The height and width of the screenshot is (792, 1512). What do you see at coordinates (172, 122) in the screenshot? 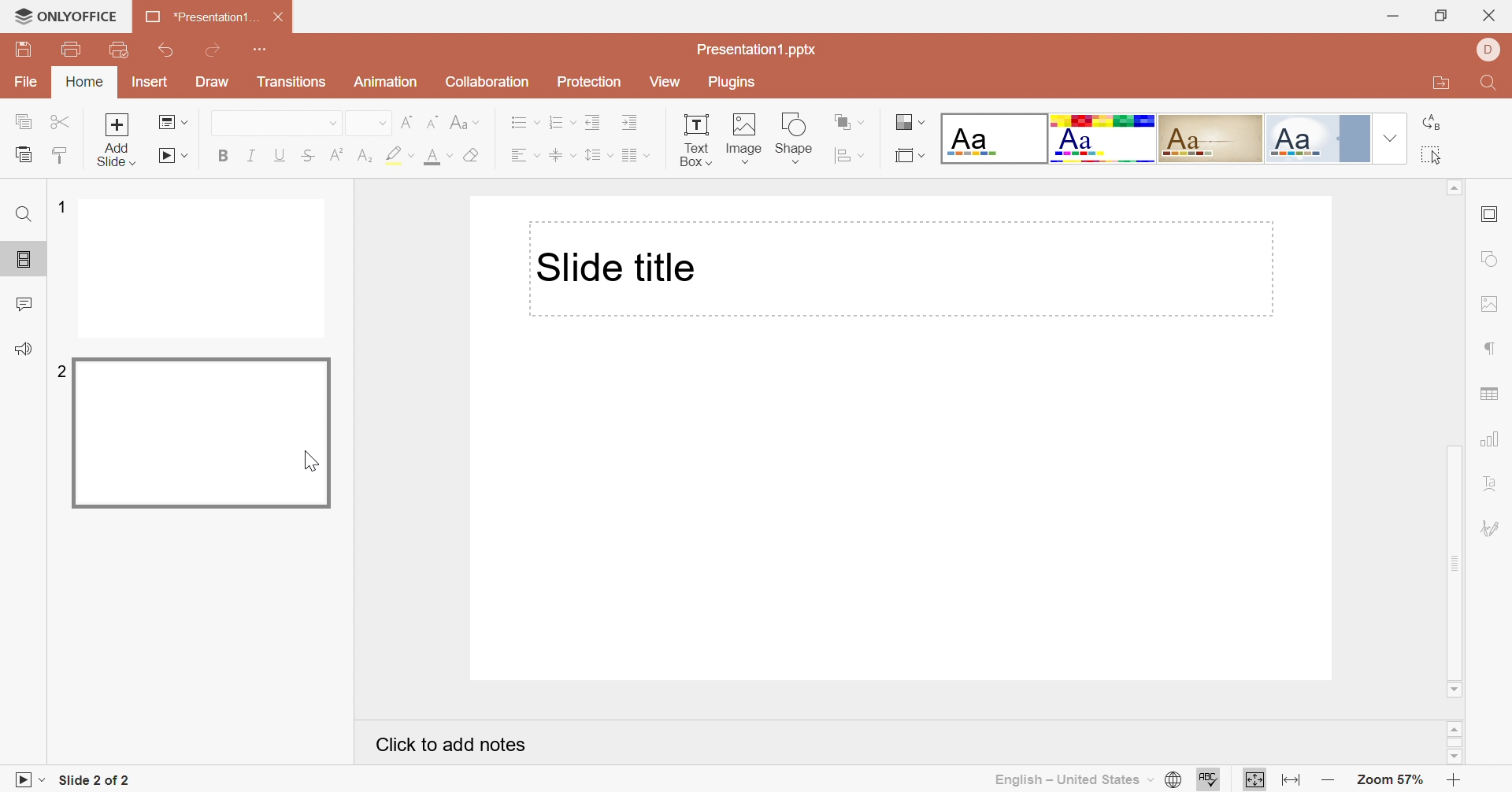
I see `Change slide layout` at bounding box center [172, 122].